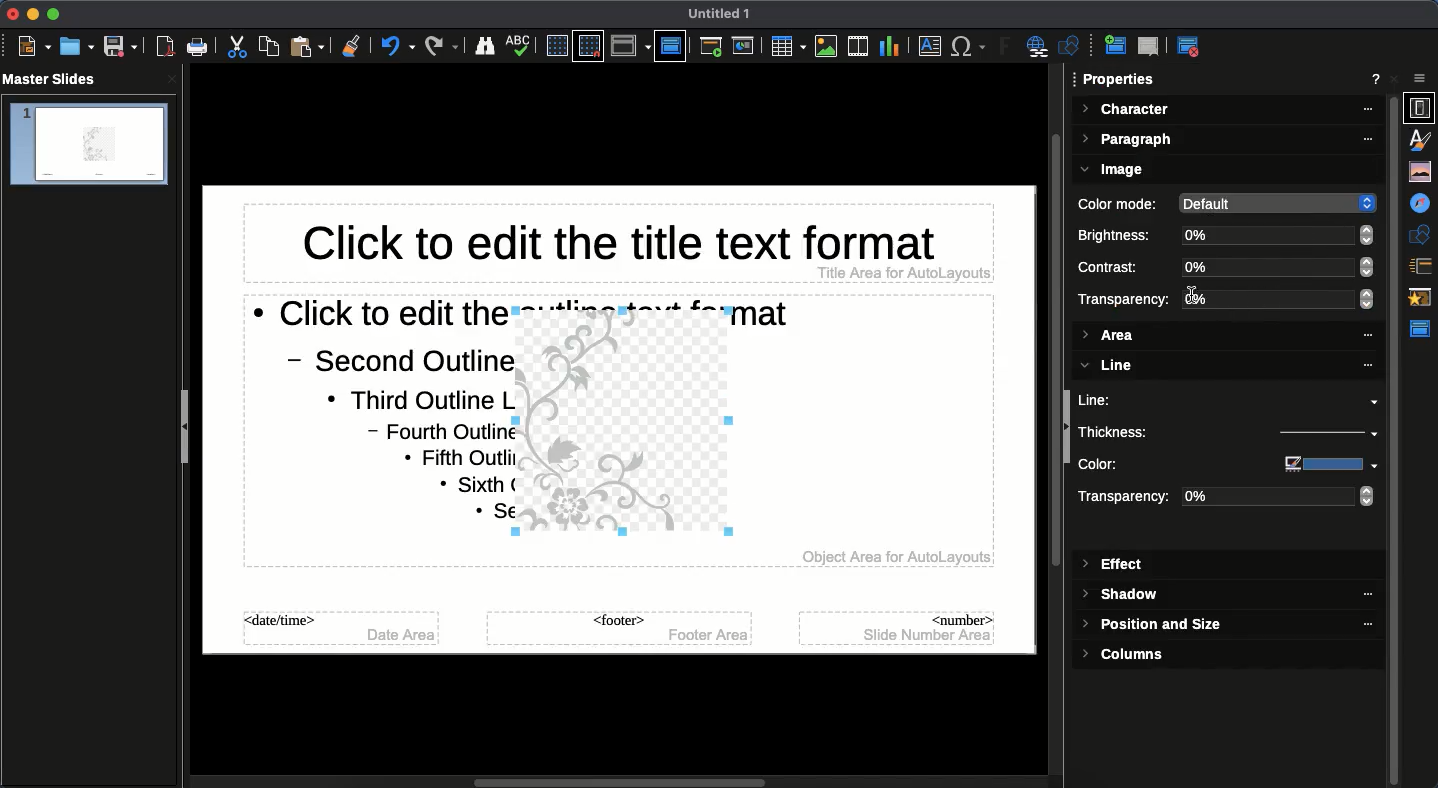 The width and height of the screenshot is (1438, 788). Describe the element at coordinates (1280, 498) in the screenshot. I see `0%` at that location.